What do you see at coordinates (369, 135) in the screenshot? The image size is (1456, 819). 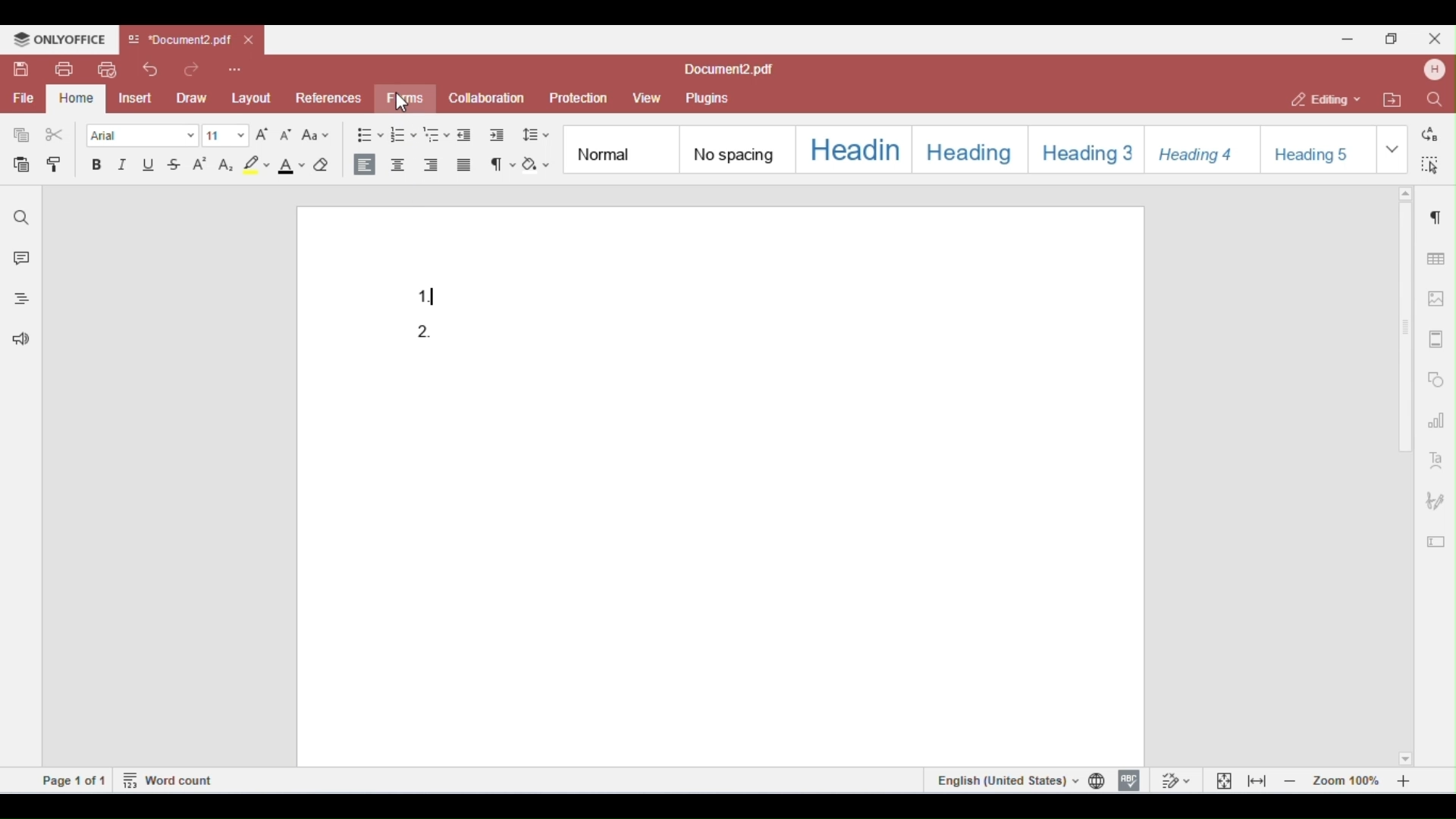 I see `bulleted list` at bounding box center [369, 135].